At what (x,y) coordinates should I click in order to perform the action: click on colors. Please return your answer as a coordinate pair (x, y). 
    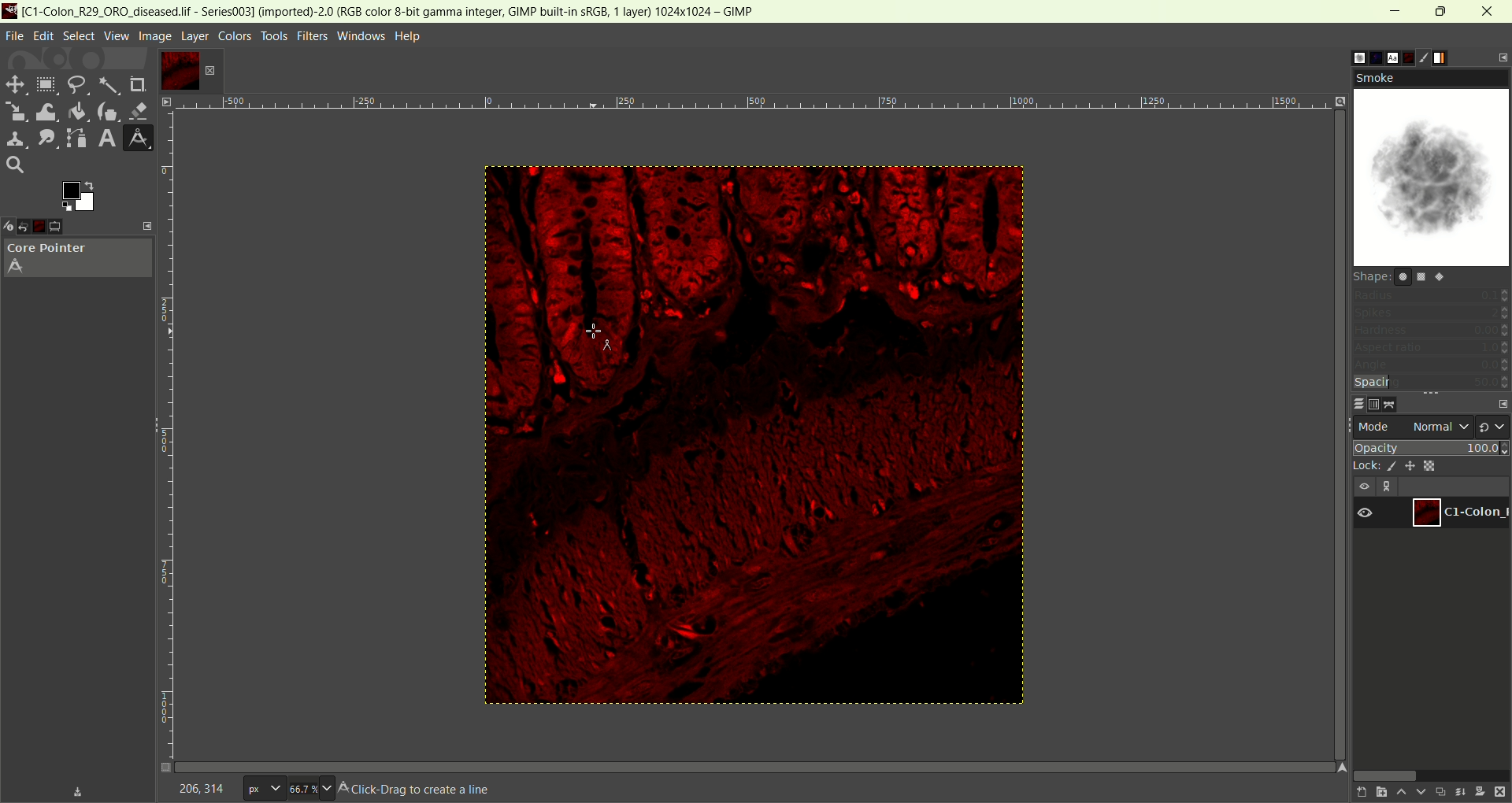
    Looking at the image, I should click on (235, 36).